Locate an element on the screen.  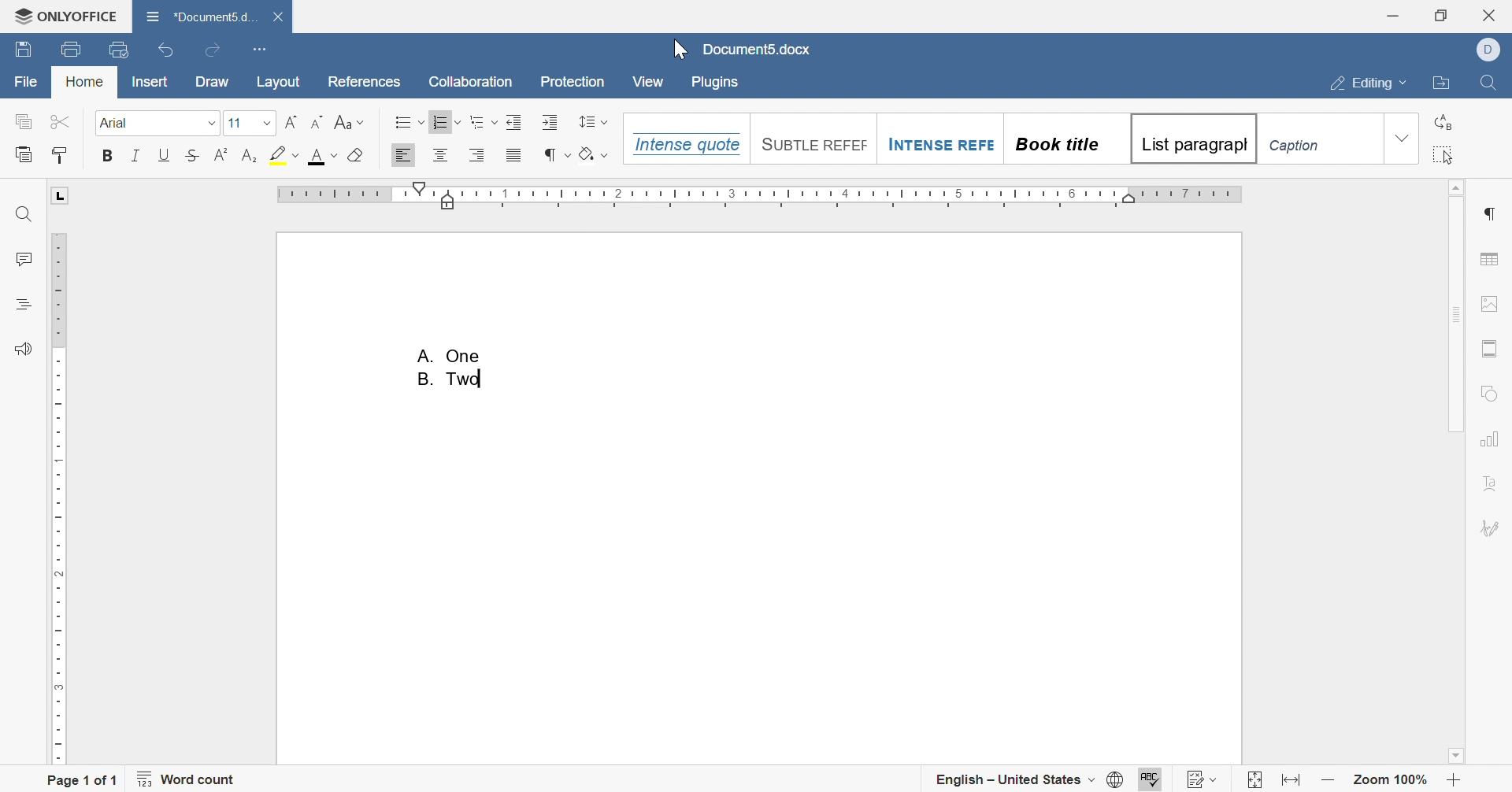
b) Two is located at coordinates (451, 379).